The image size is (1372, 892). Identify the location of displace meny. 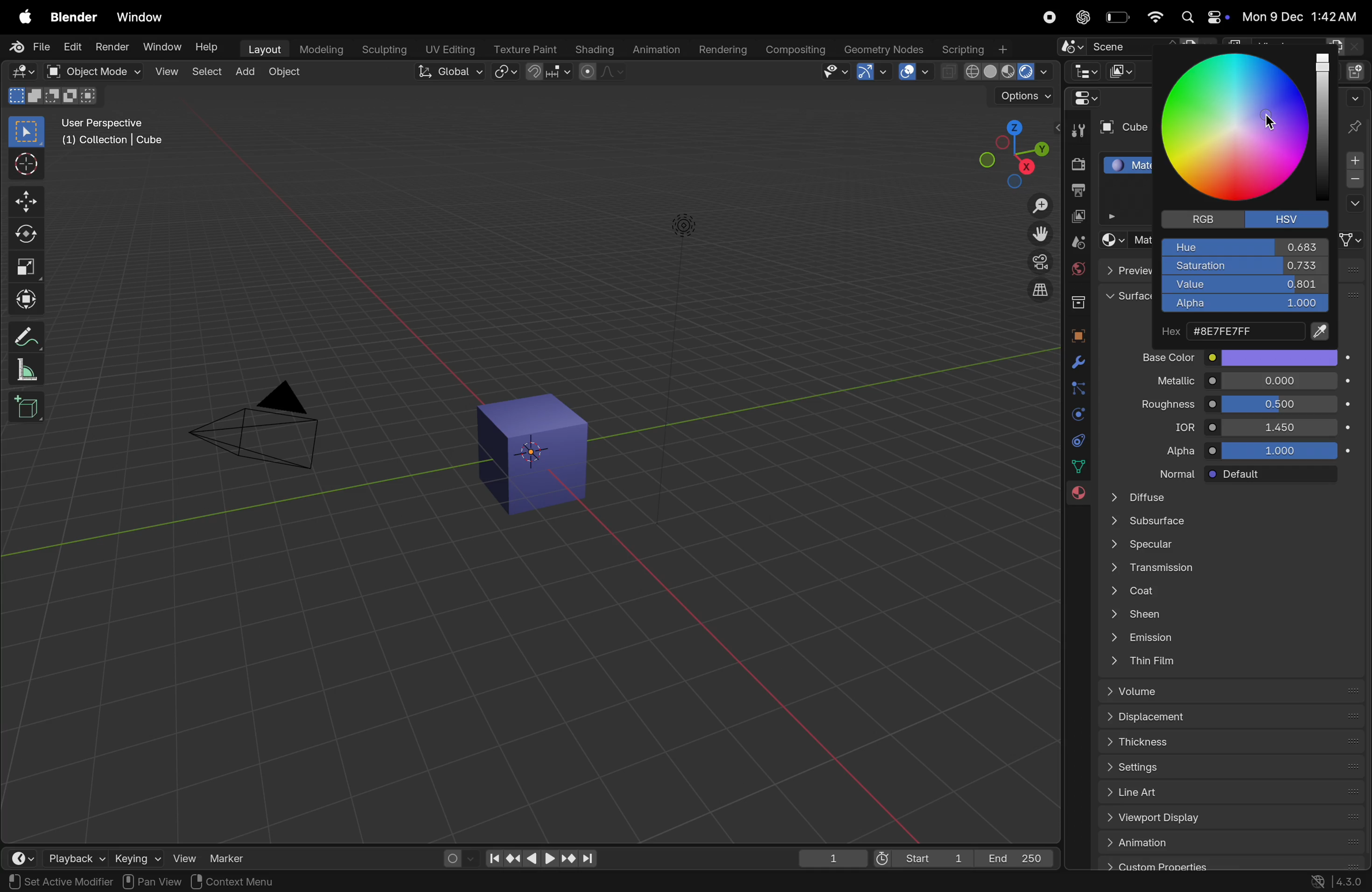
(1232, 718).